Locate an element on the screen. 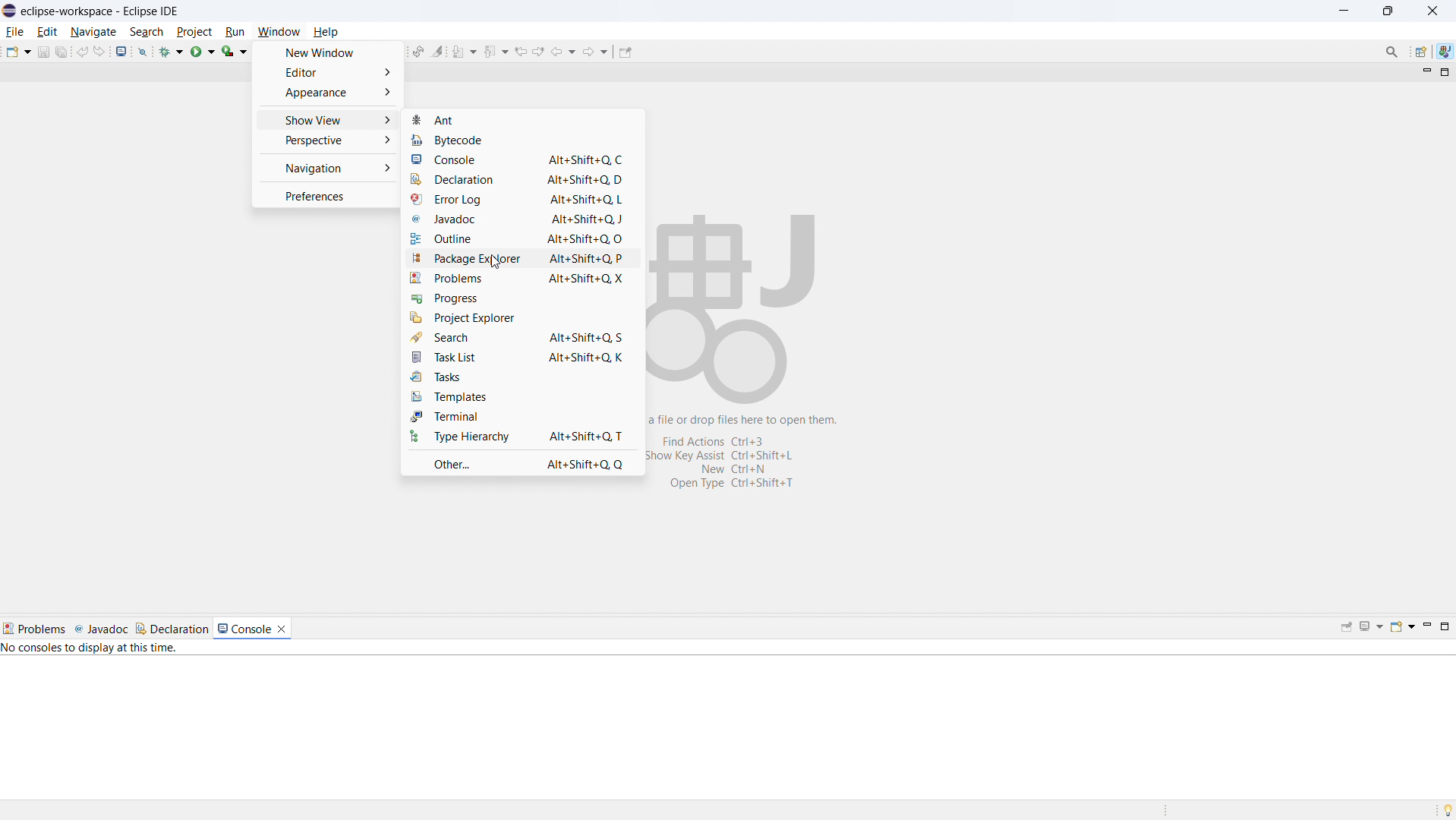 The height and width of the screenshot is (820, 1456). run is located at coordinates (203, 52).